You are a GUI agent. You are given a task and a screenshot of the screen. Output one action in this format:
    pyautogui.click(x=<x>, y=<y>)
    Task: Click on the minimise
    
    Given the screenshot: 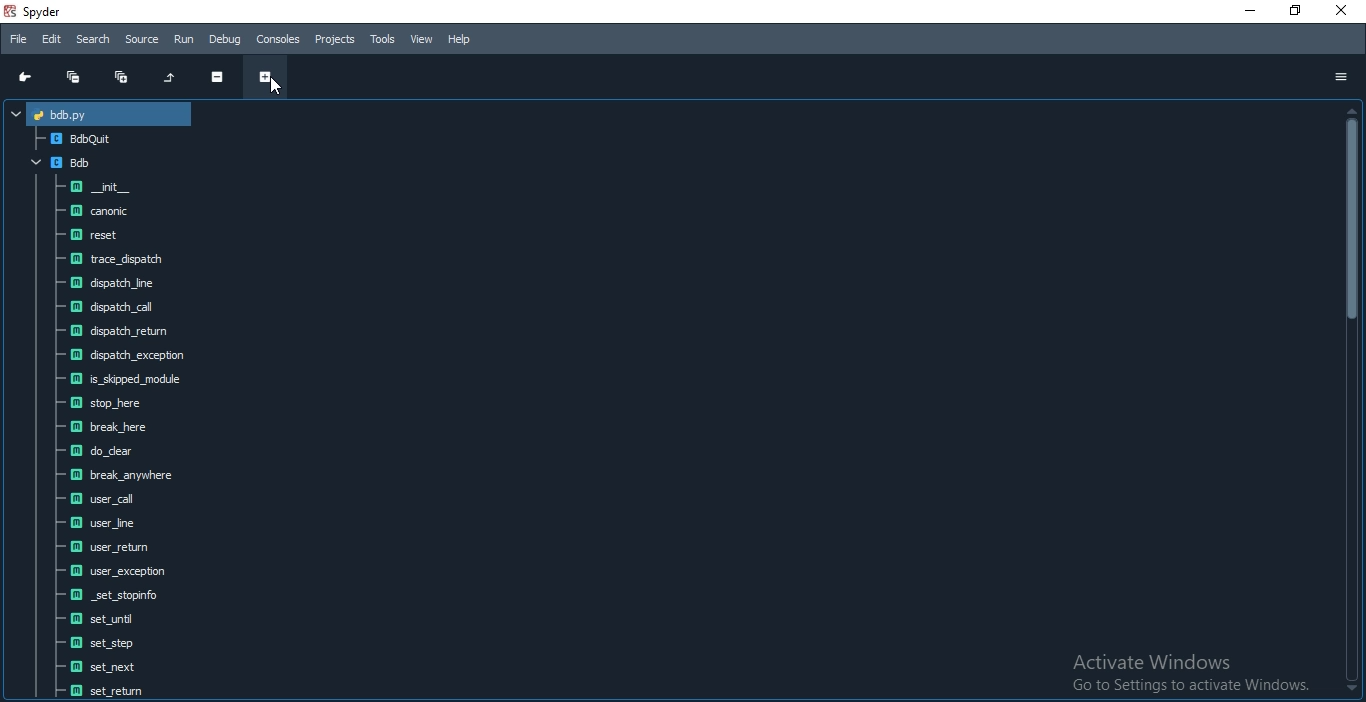 What is the action you would take?
    pyautogui.click(x=1248, y=10)
    